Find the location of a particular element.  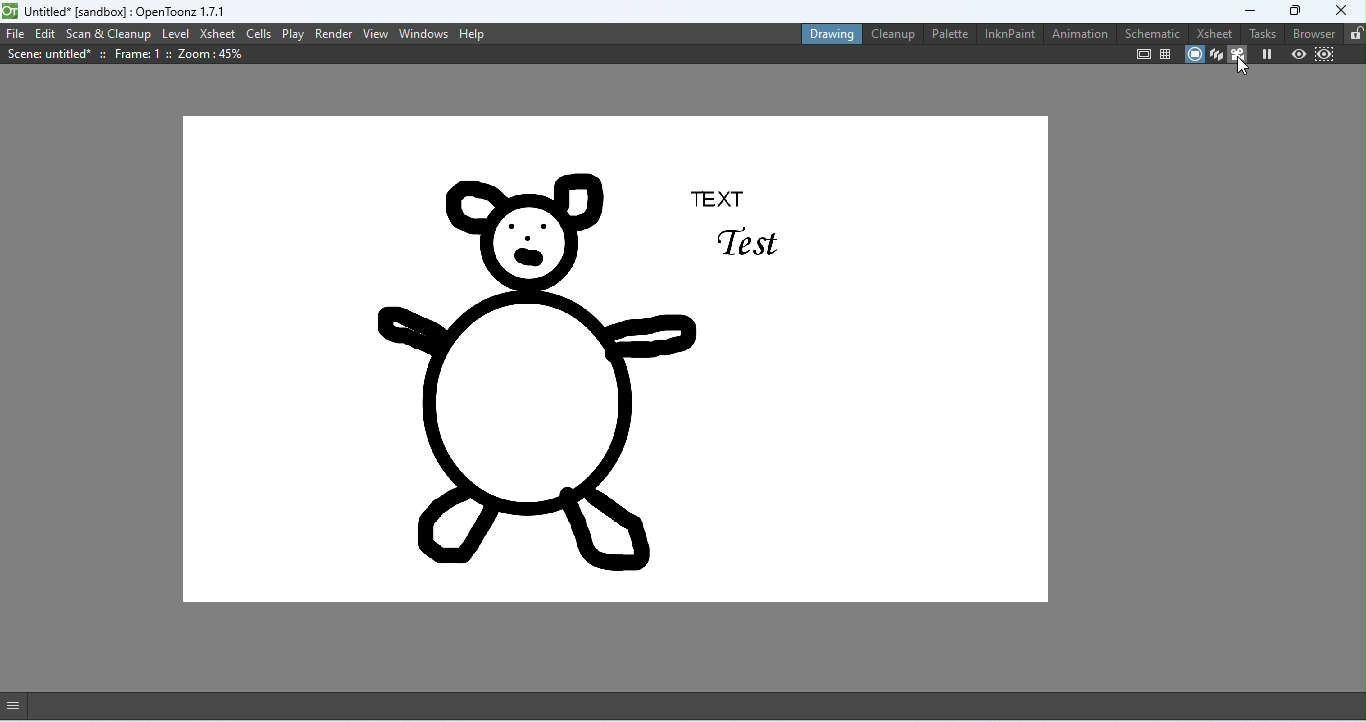

Animation is located at coordinates (1078, 36).